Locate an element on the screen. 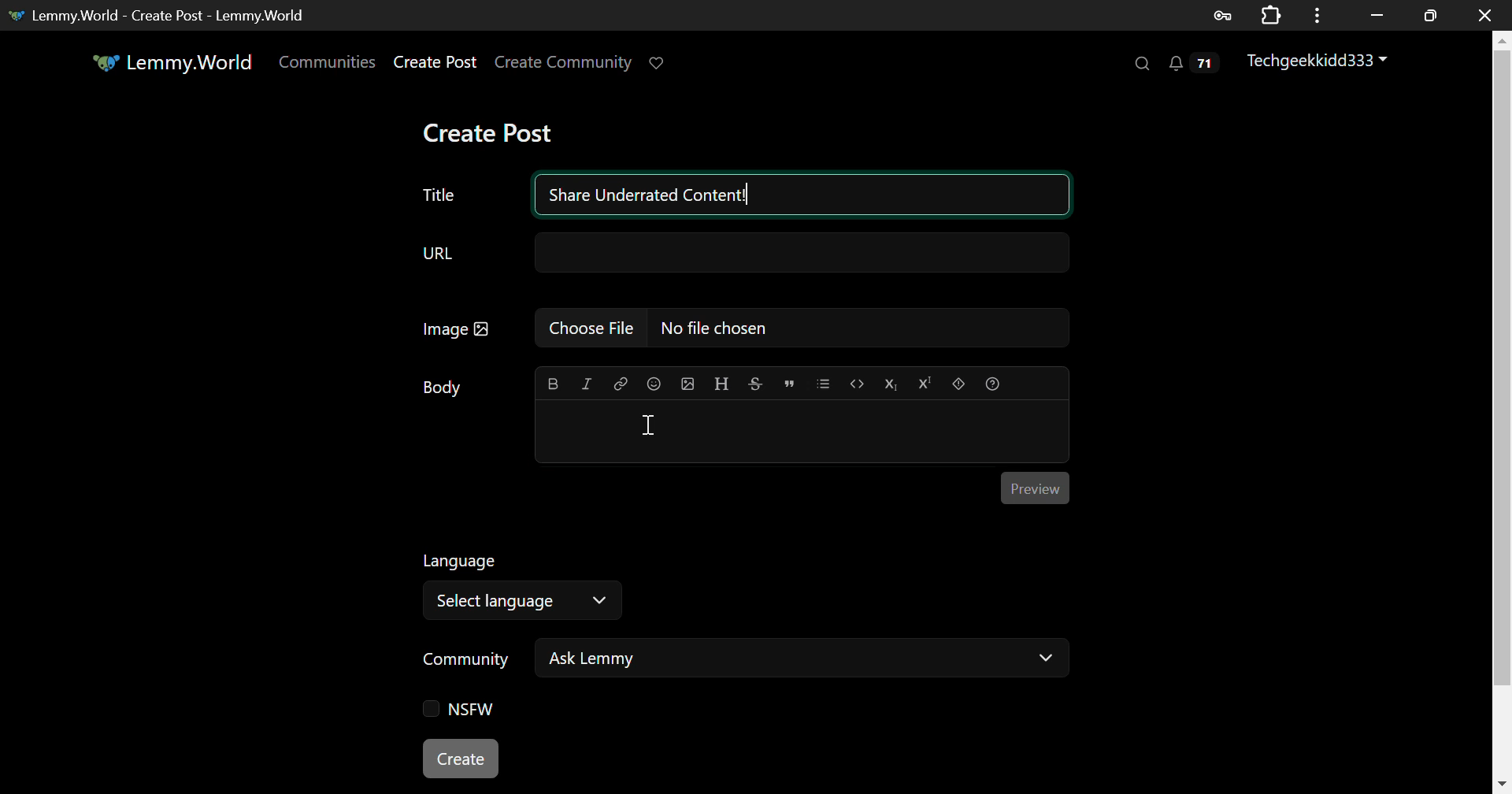 The height and width of the screenshot is (794, 1512). Post Body is located at coordinates (802, 429).